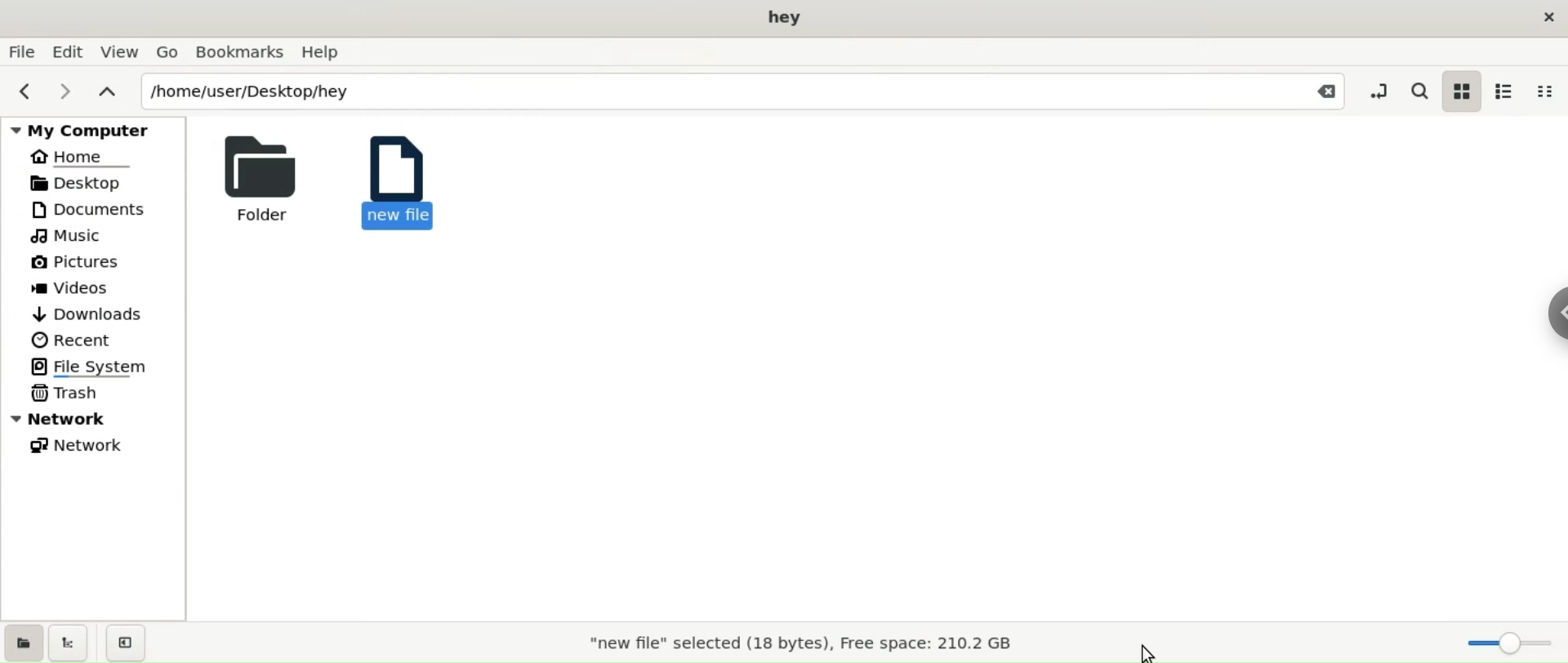  I want to click on parent folders, so click(106, 90).